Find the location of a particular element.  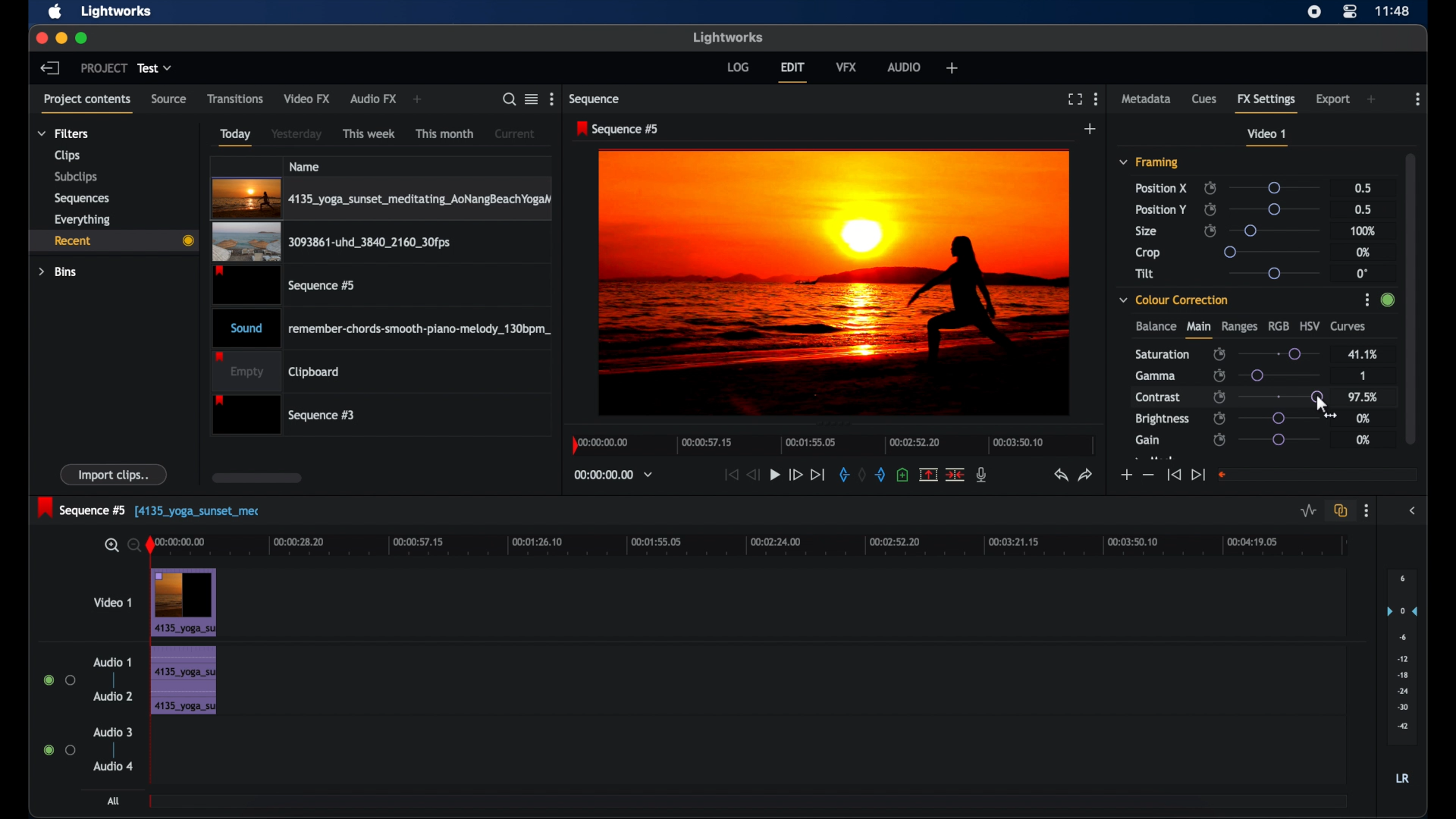

enable/disable keyframes is located at coordinates (1219, 375).